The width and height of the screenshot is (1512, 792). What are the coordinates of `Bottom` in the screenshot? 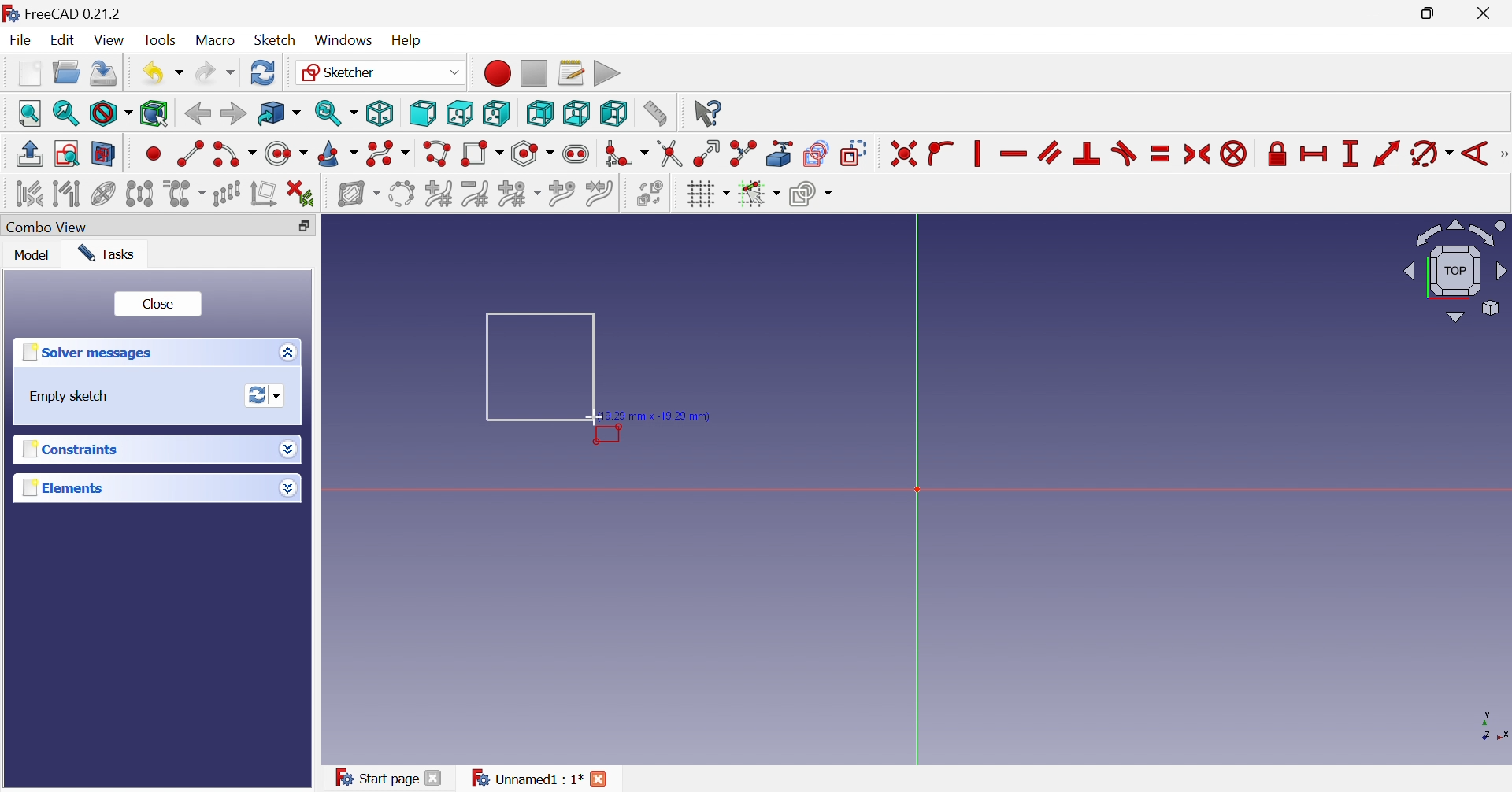 It's located at (576, 113).